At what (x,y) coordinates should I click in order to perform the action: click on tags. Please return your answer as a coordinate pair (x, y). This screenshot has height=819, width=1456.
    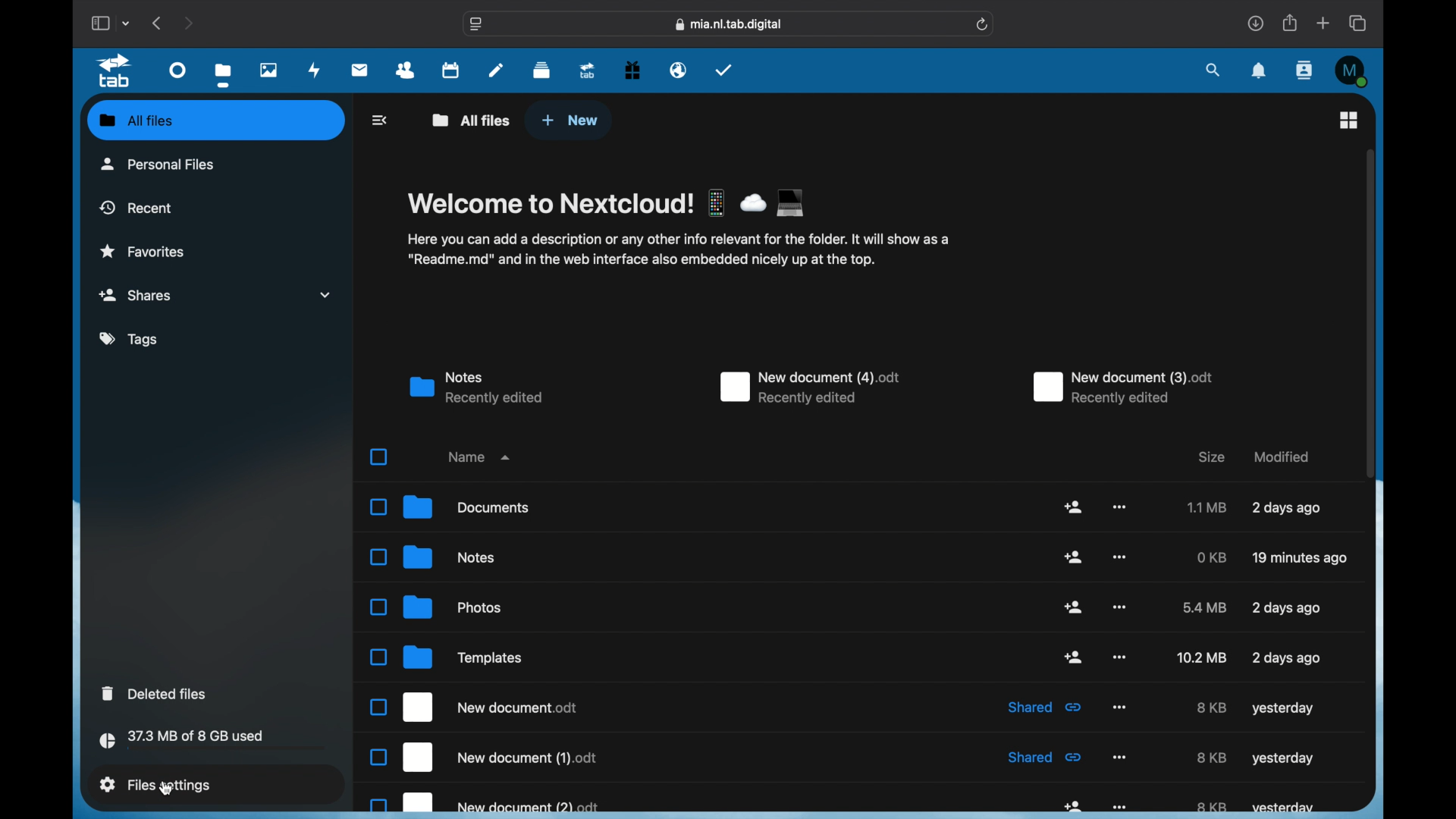
    Looking at the image, I should click on (130, 340).